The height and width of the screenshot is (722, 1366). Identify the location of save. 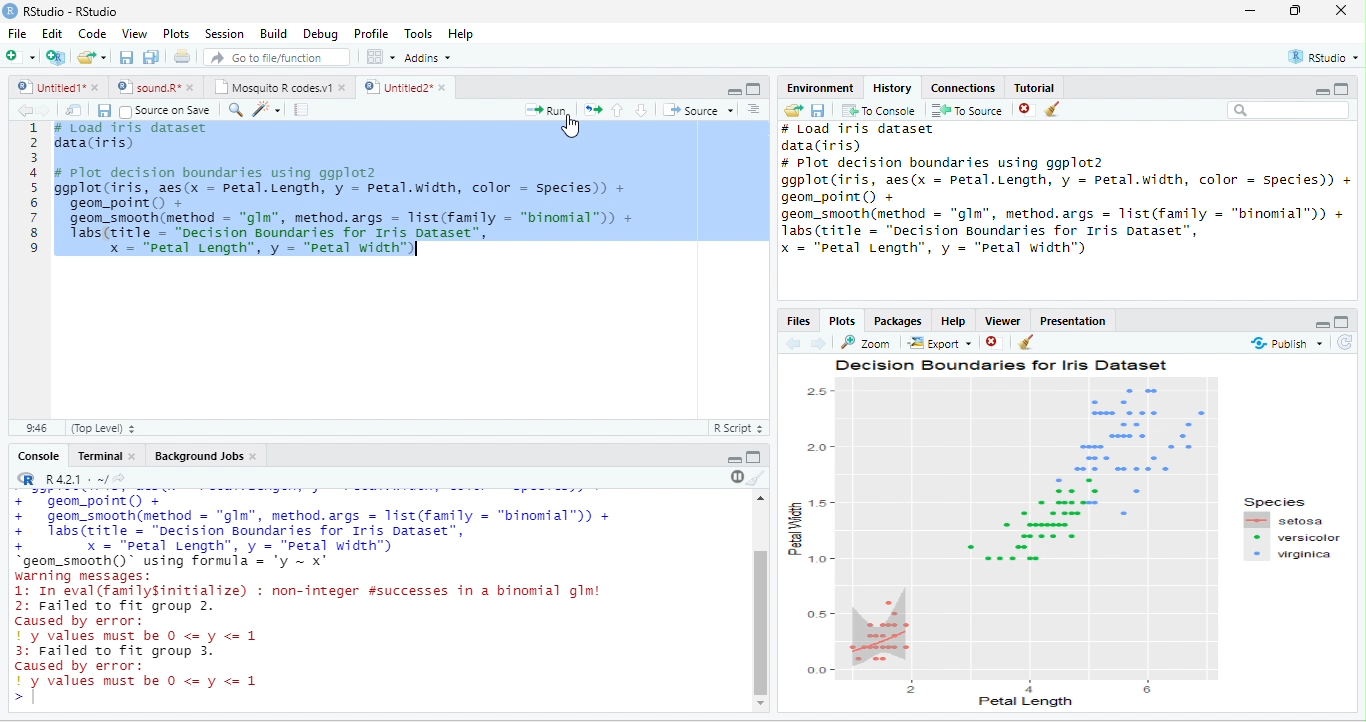
(104, 111).